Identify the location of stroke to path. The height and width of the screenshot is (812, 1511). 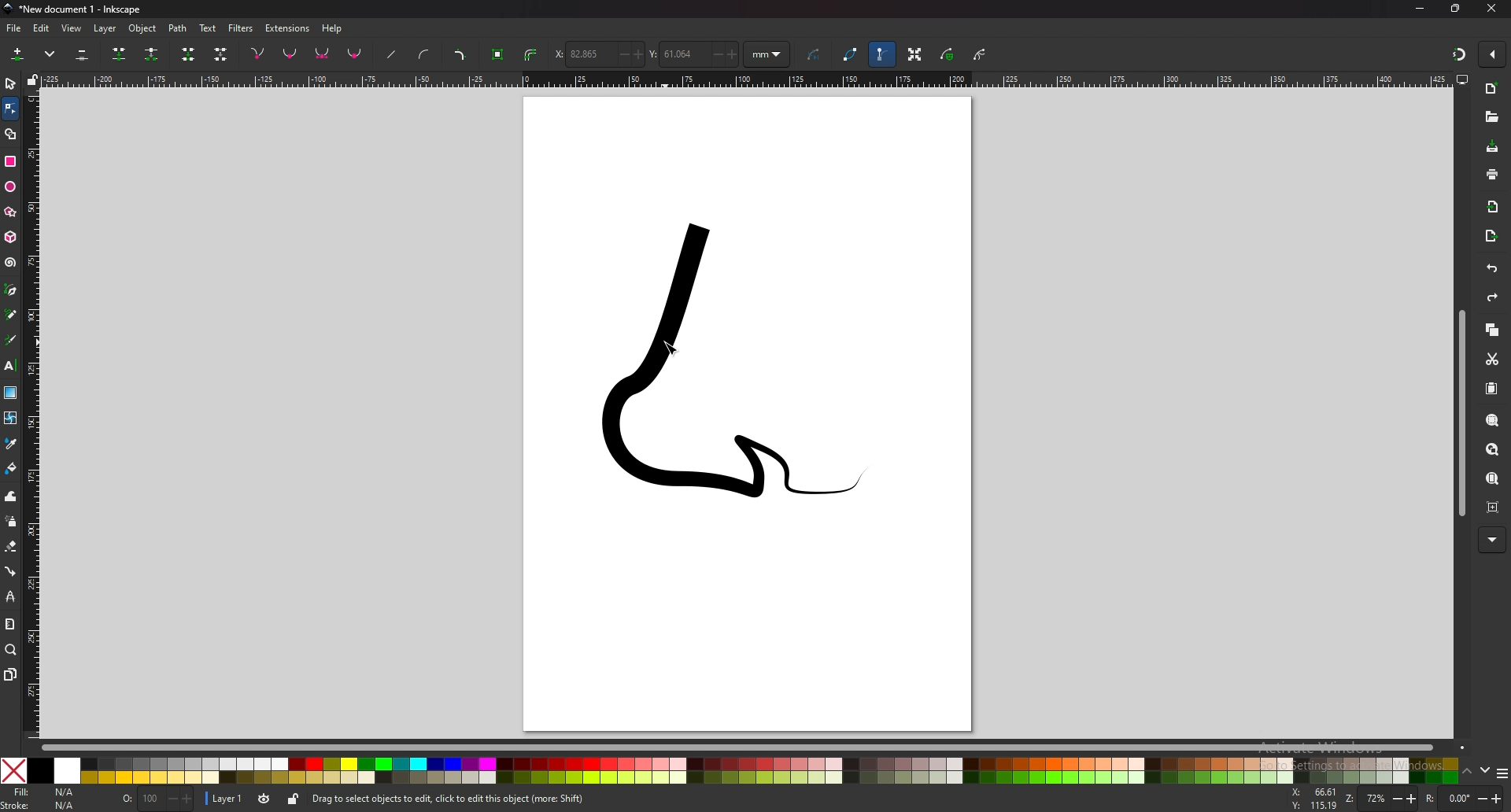
(531, 55).